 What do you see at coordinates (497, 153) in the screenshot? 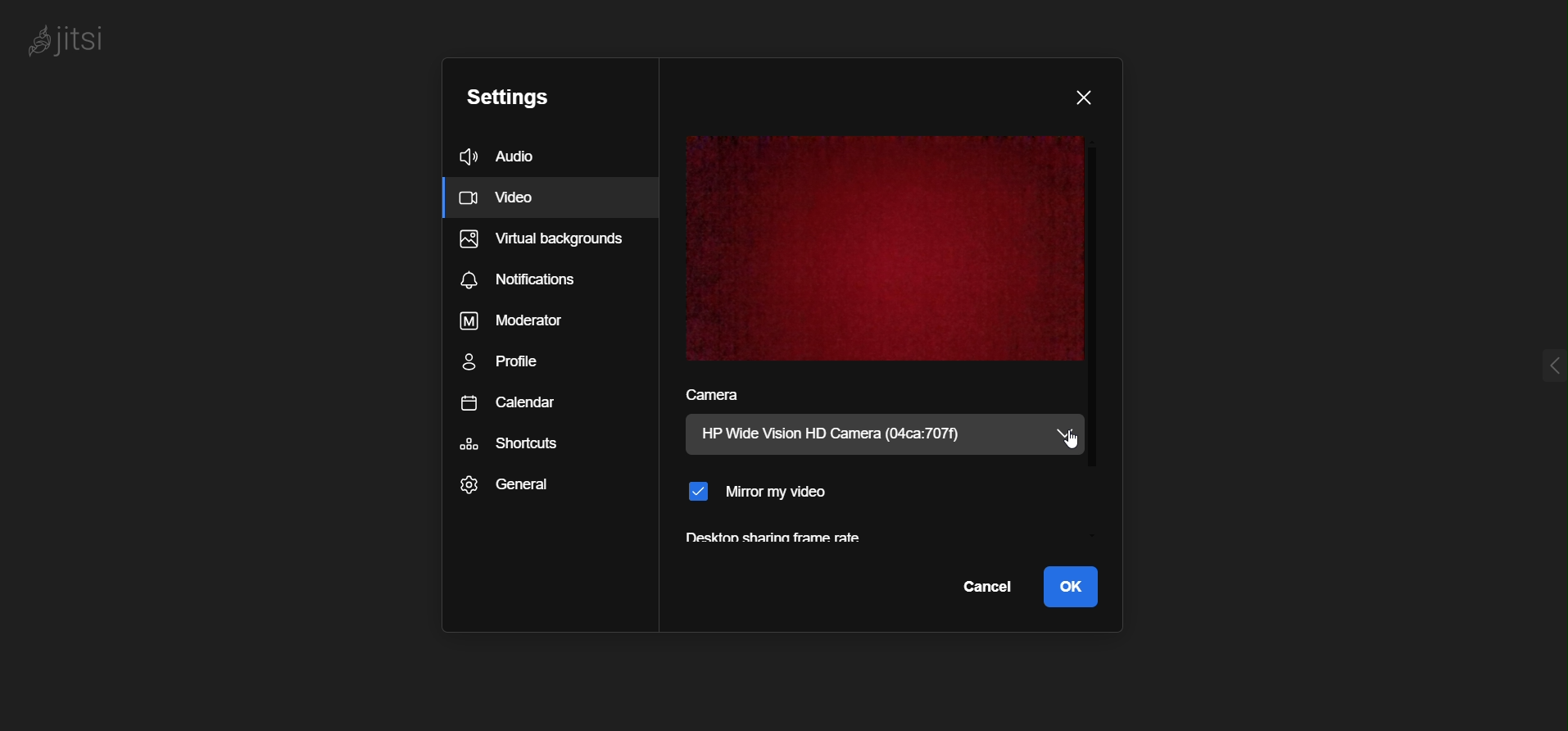
I see `audio` at bounding box center [497, 153].